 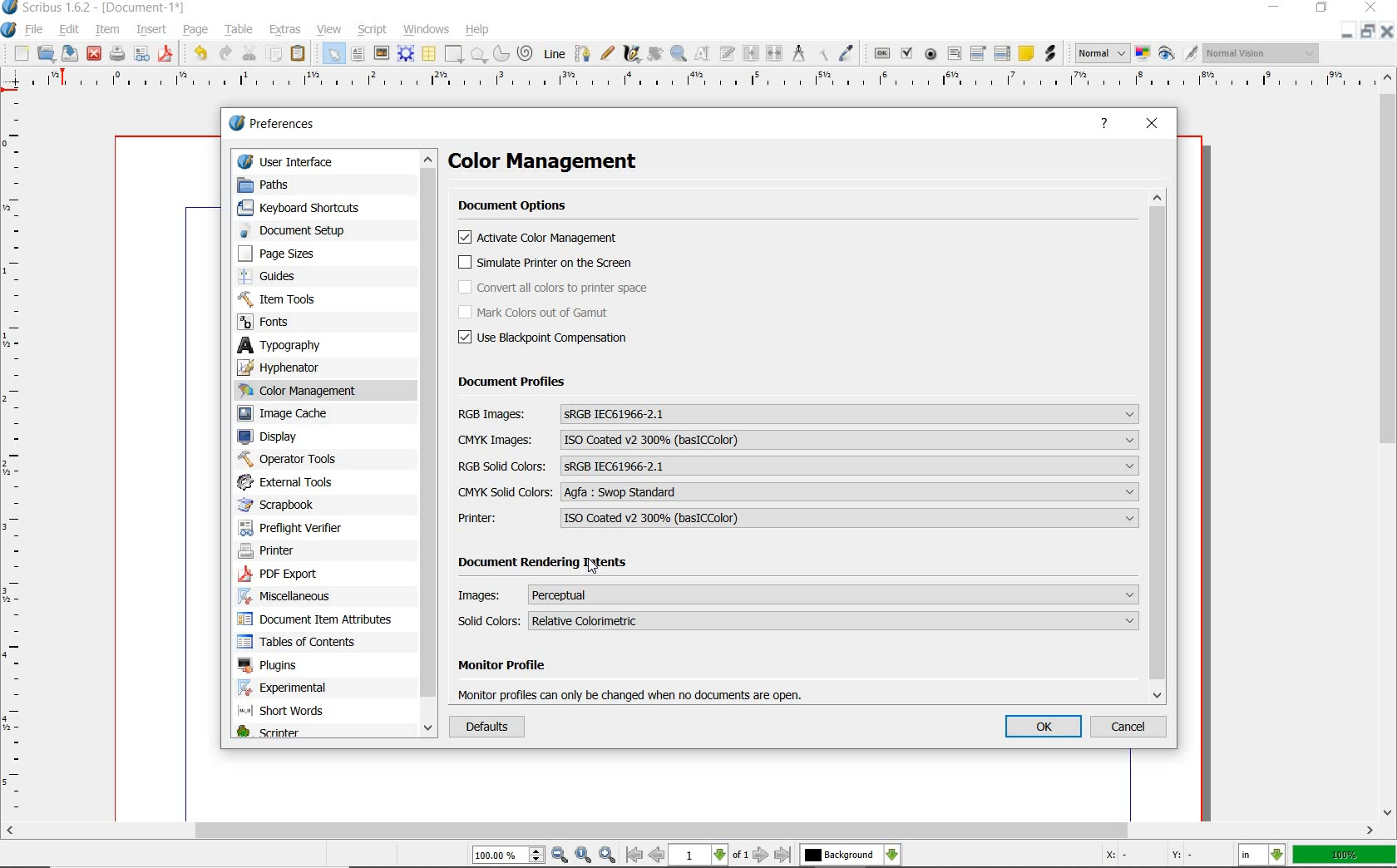 What do you see at coordinates (526, 52) in the screenshot?
I see `spiral` at bounding box center [526, 52].